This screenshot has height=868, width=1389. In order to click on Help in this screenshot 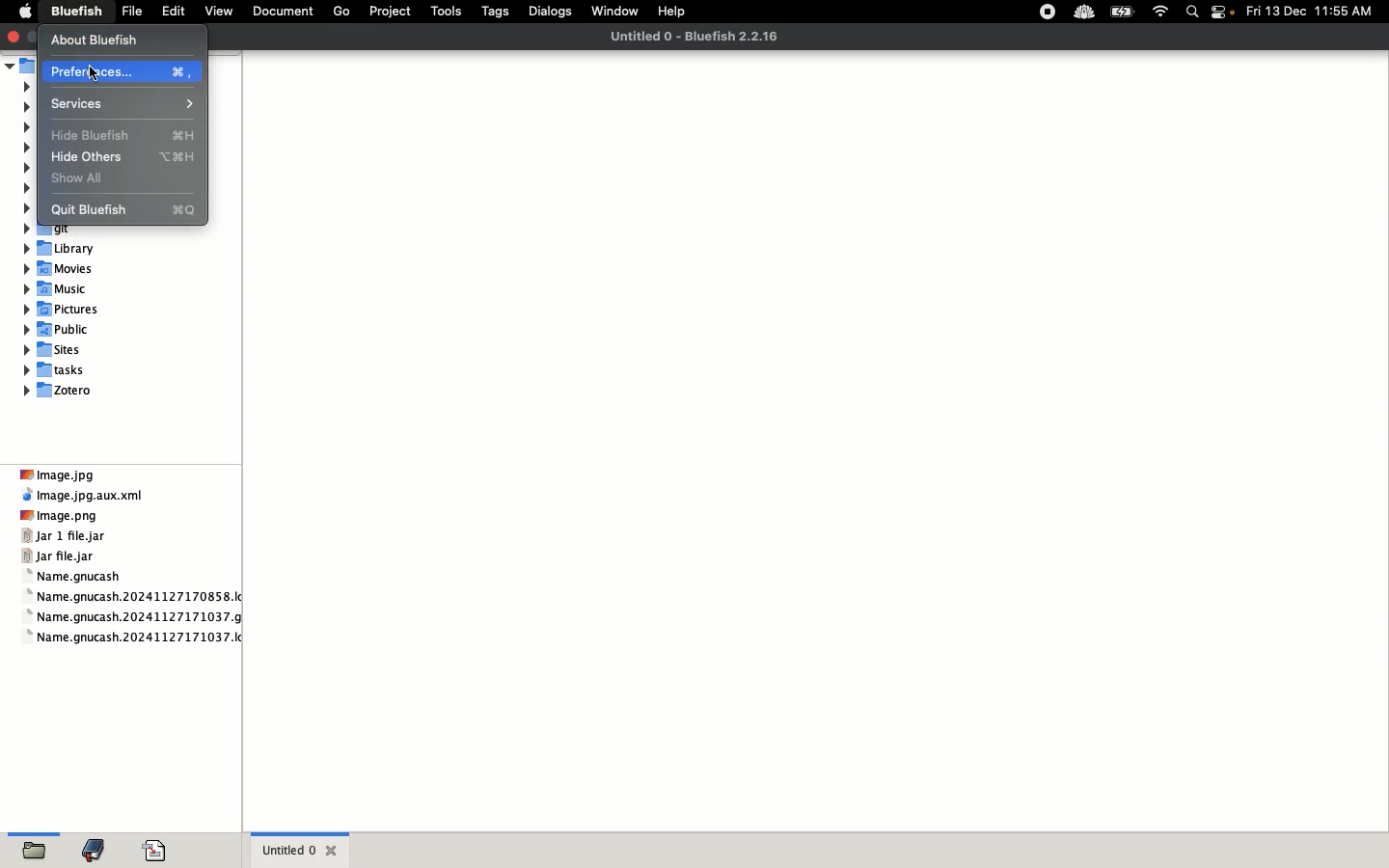, I will do `click(678, 12)`.